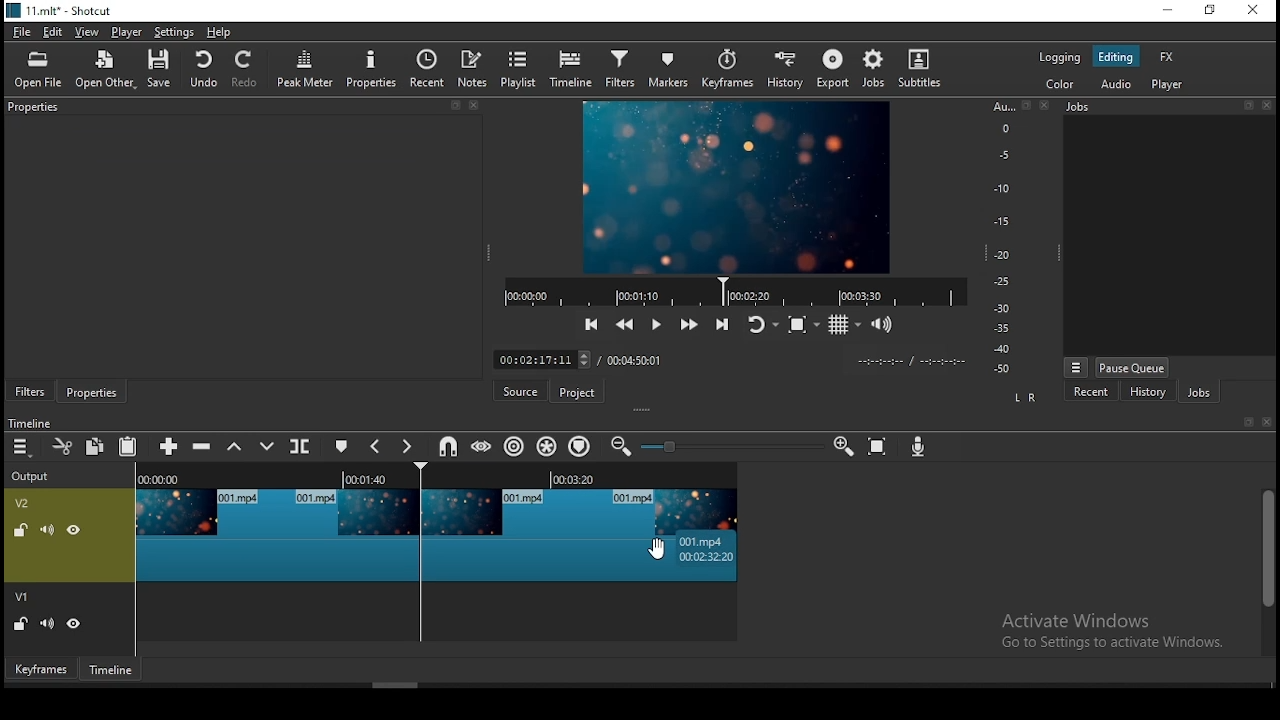 This screenshot has width=1280, height=720. Describe the element at coordinates (45, 624) in the screenshot. I see `(UN)MUTE` at that location.